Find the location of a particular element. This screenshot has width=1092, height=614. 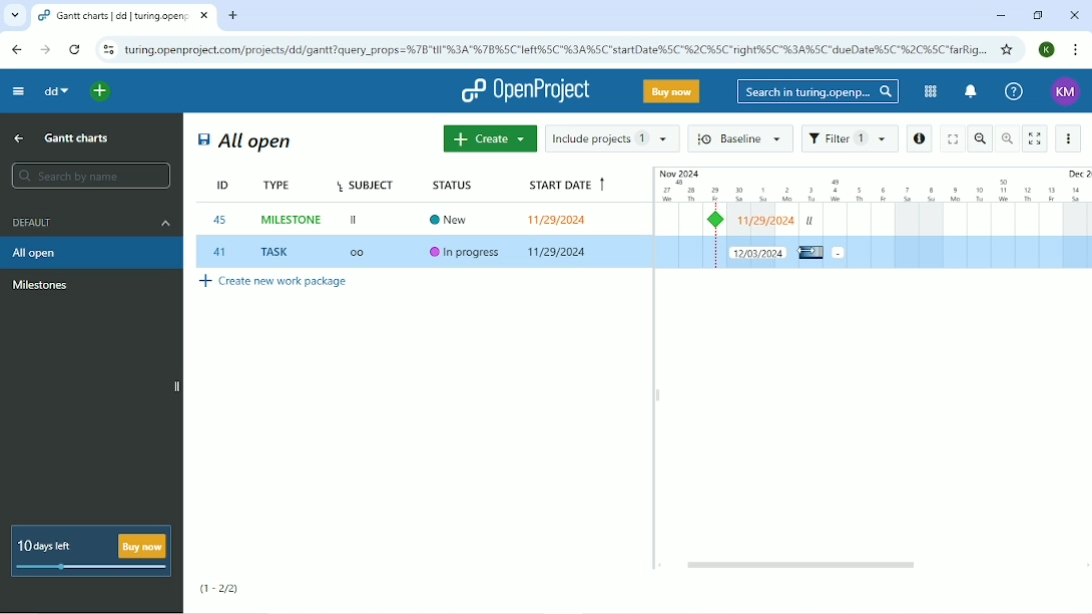

Filter is located at coordinates (849, 139).